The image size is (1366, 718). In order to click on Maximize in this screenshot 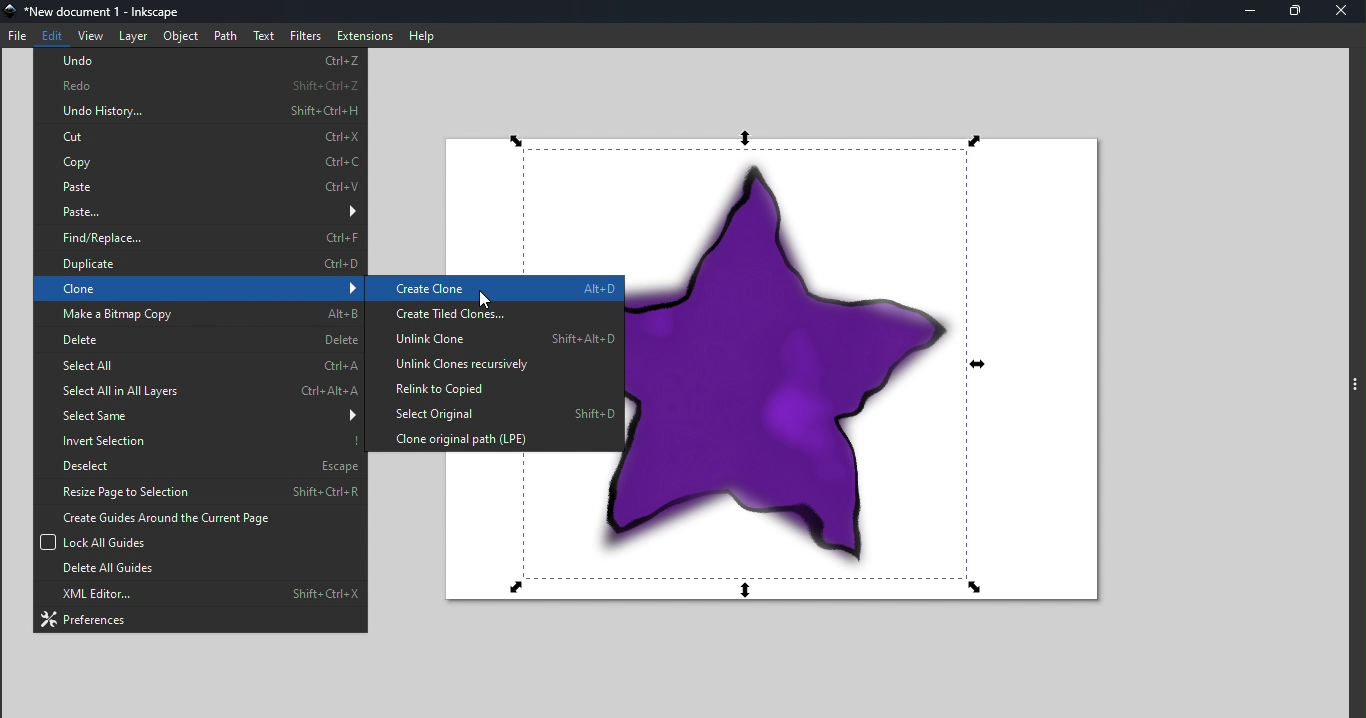, I will do `click(1294, 12)`.